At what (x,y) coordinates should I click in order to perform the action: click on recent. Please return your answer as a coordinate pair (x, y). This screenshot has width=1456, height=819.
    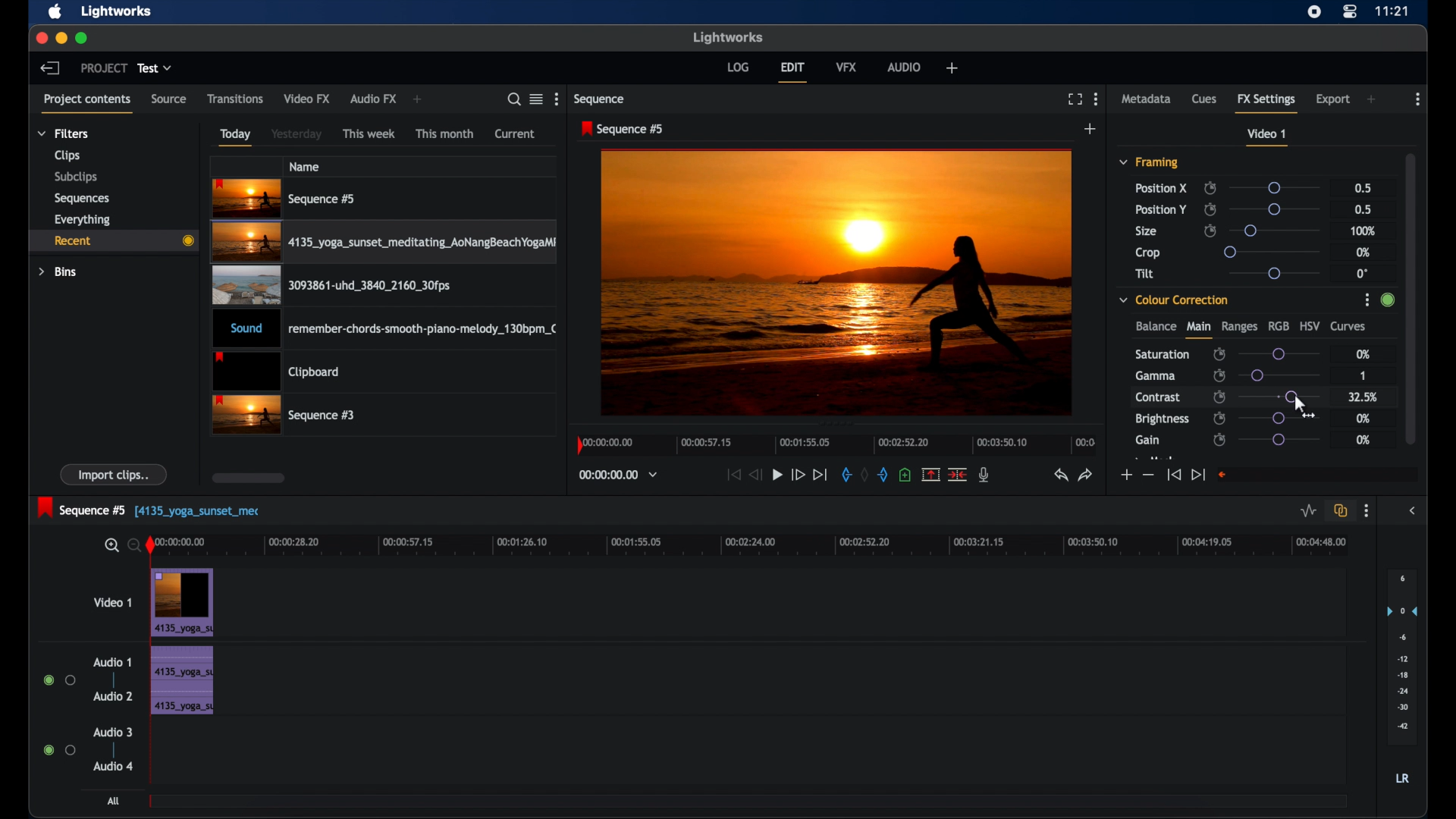
    Looking at the image, I should click on (112, 241).